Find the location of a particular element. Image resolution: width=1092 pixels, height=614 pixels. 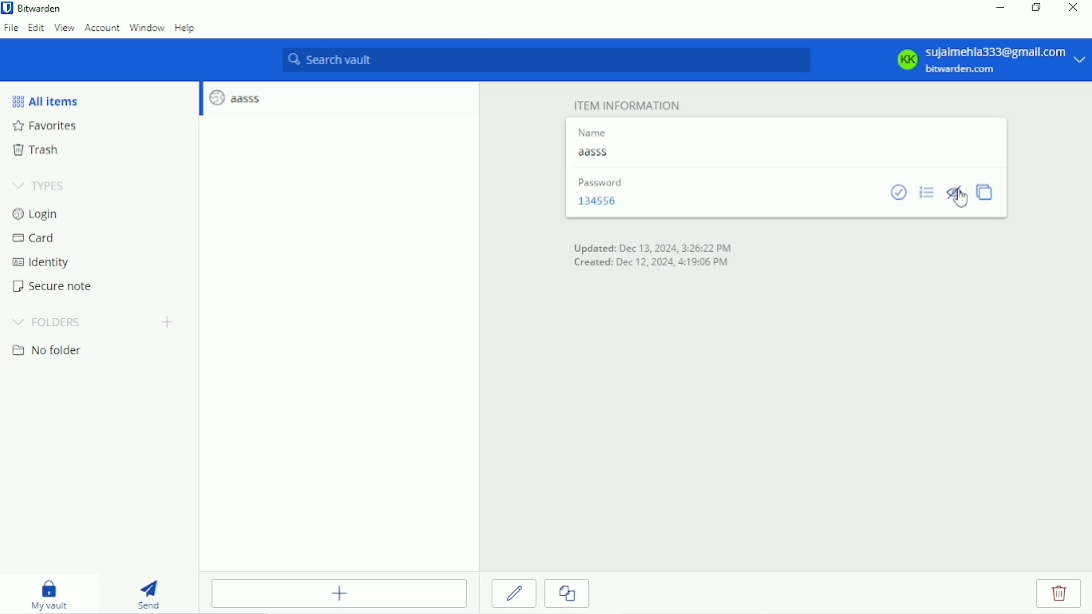

Send is located at coordinates (148, 593).